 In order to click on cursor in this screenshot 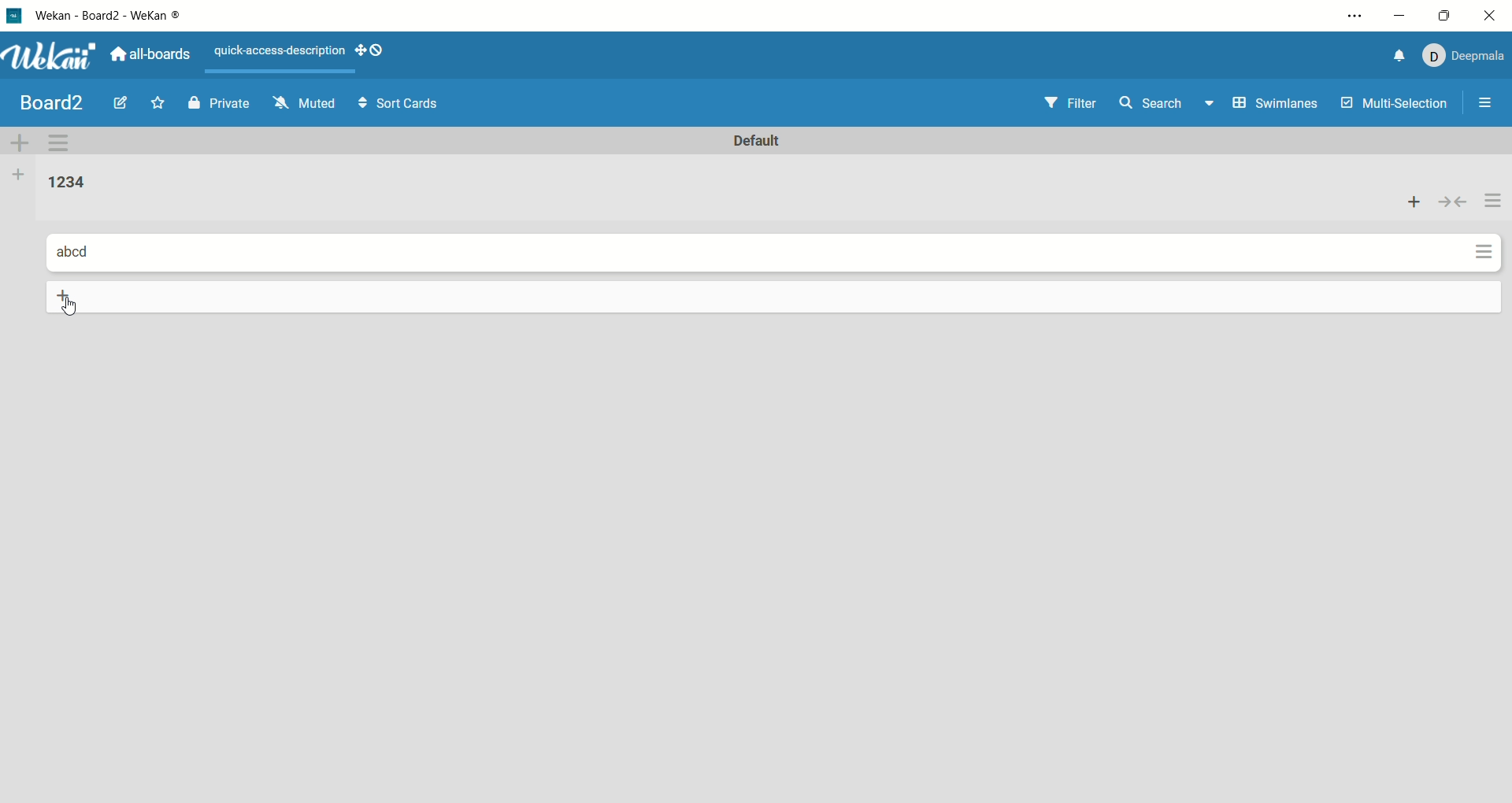, I will do `click(76, 312)`.